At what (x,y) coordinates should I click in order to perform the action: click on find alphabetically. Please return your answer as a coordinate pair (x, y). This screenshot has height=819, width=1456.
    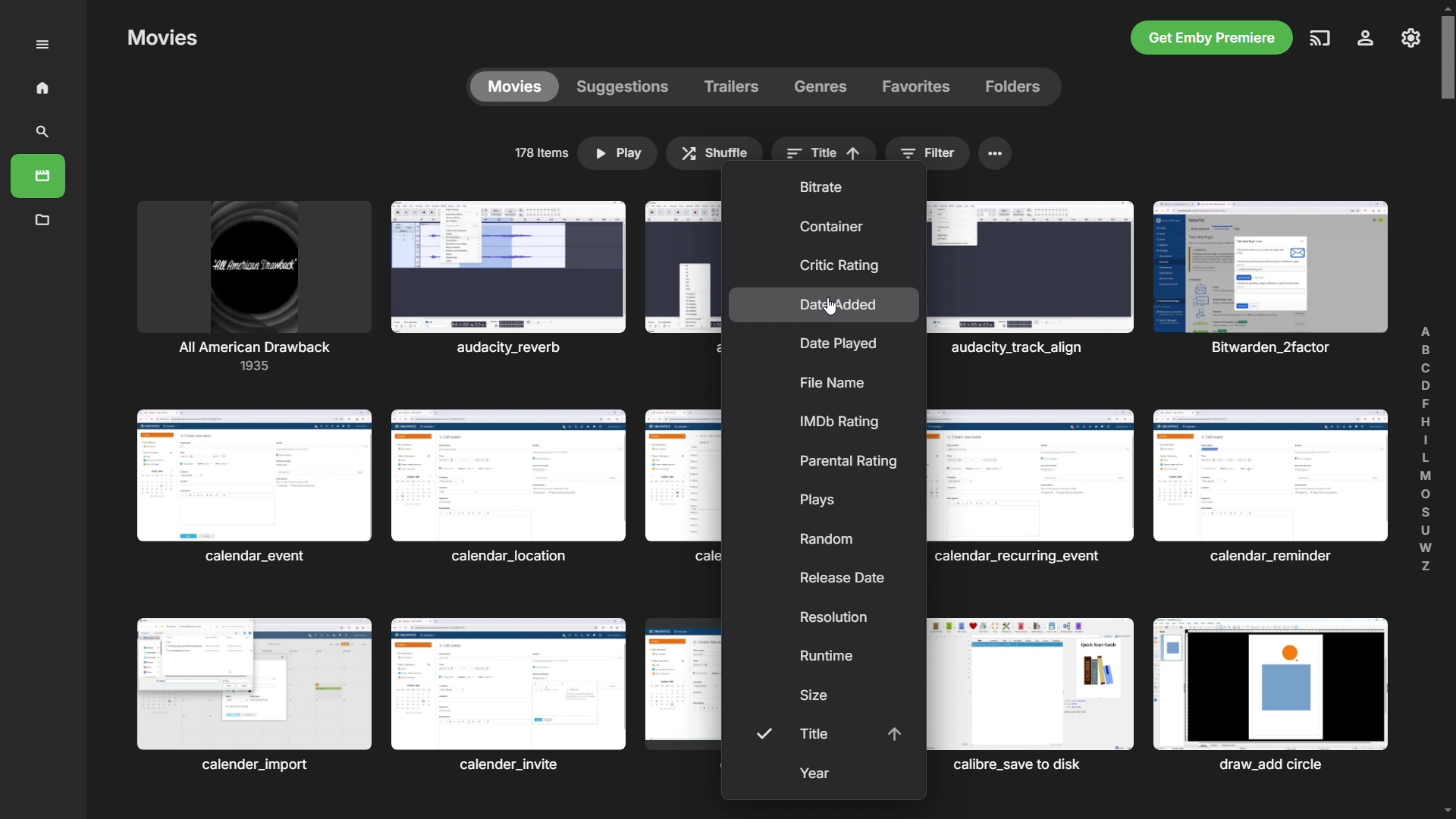
    Looking at the image, I should click on (1424, 448).